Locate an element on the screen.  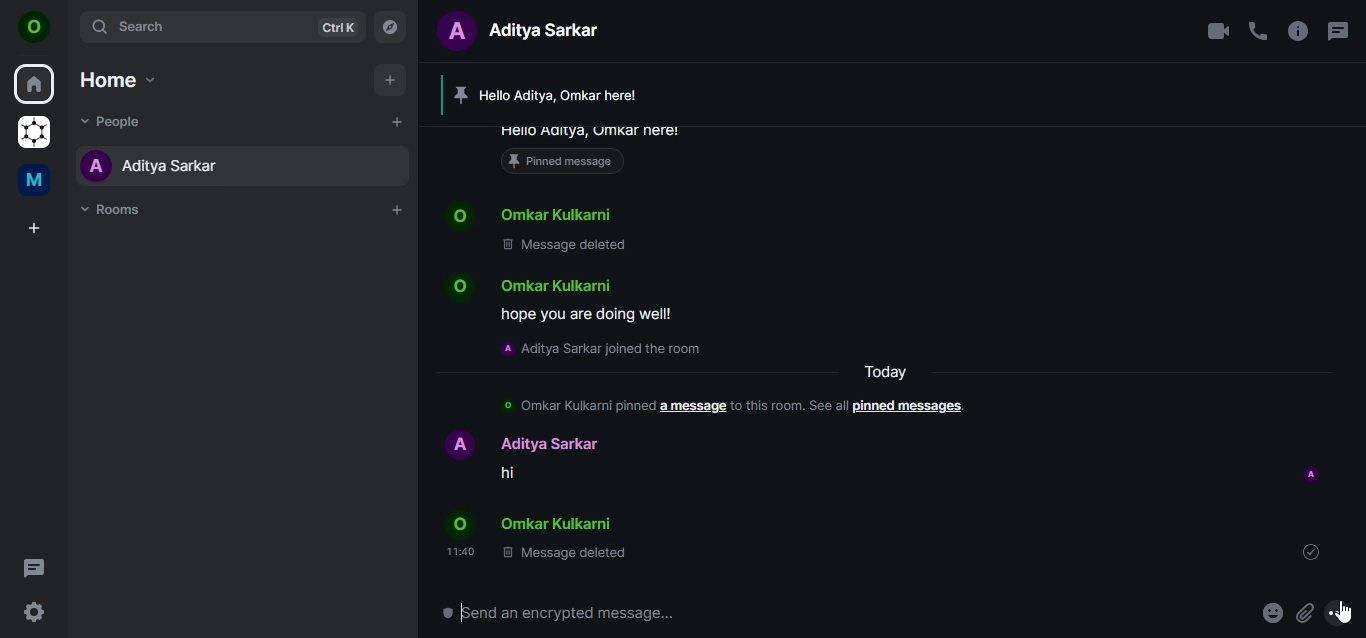
people is located at coordinates (118, 120).